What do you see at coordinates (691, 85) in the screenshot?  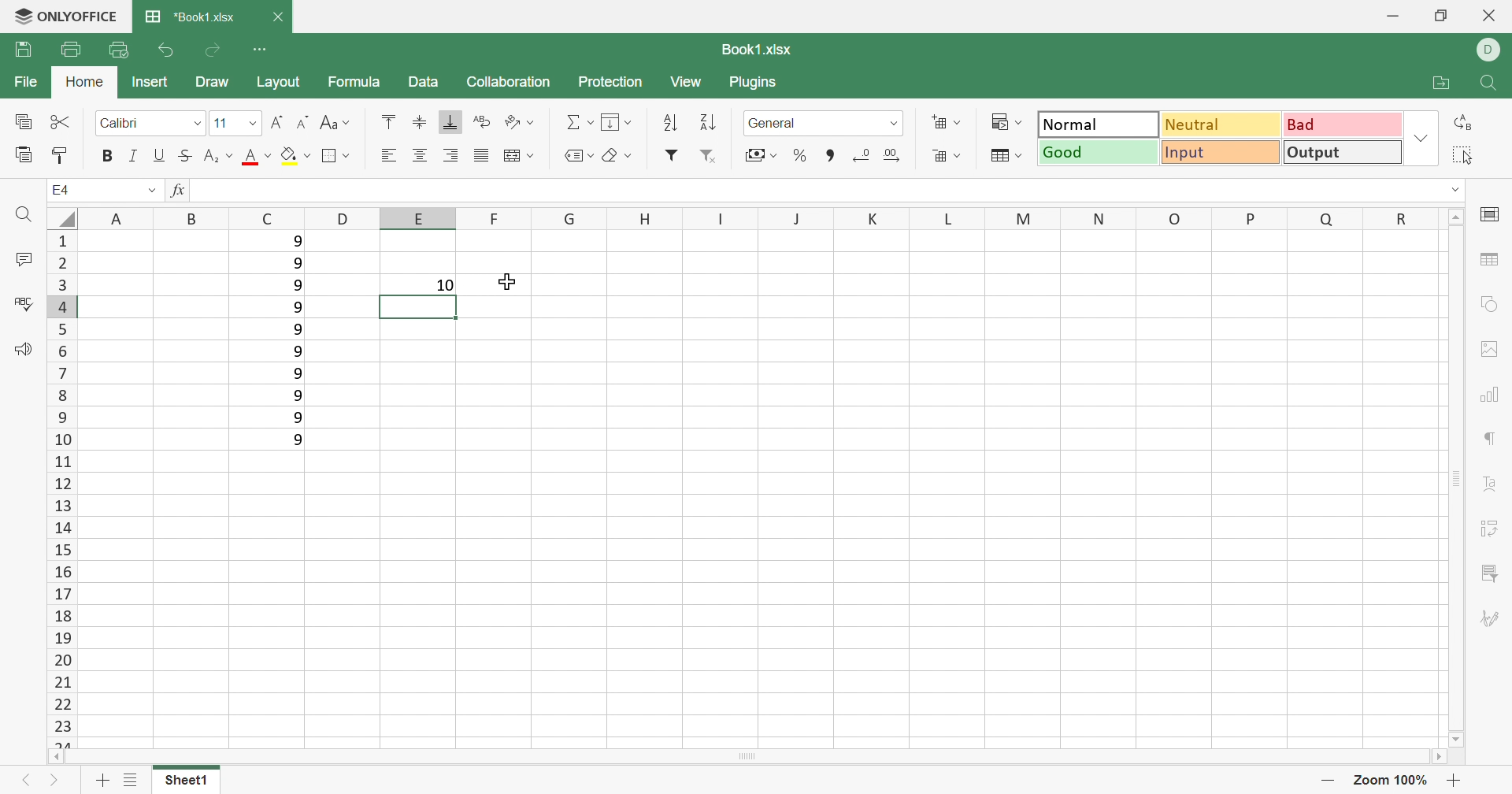 I see `View` at bounding box center [691, 85].